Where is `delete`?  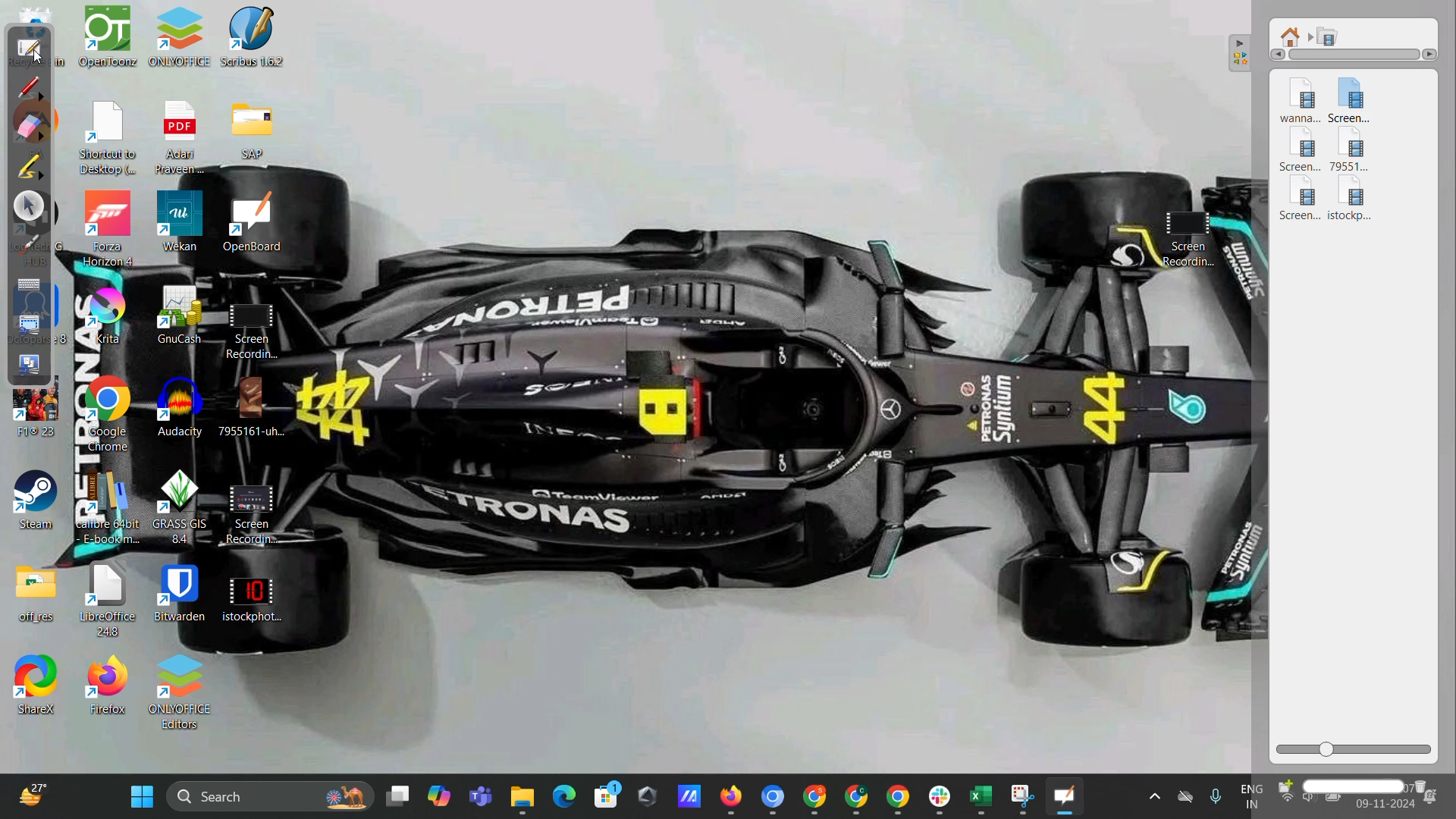
delete is located at coordinates (1423, 785).